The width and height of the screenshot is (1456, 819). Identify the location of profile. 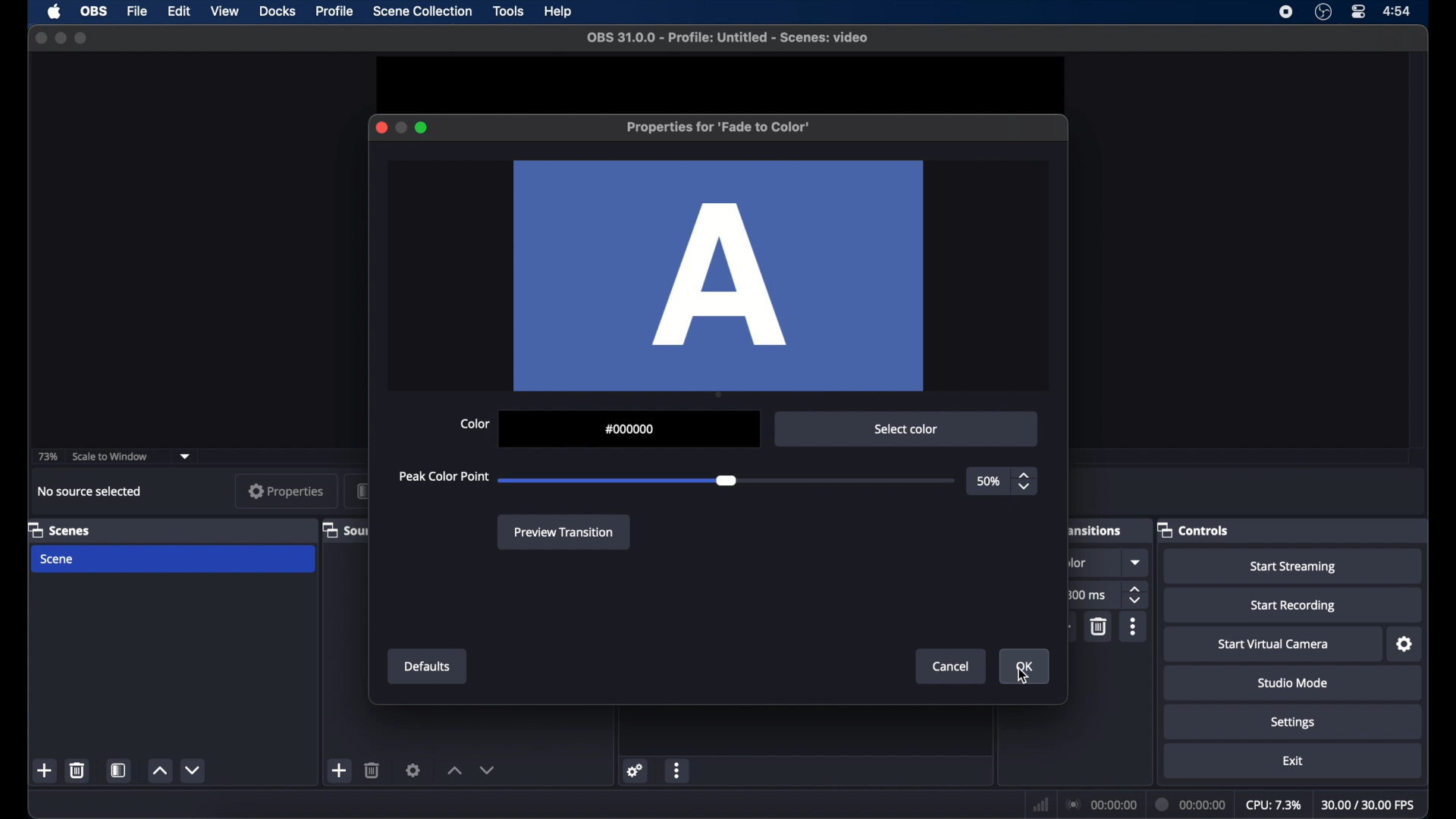
(335, 12).